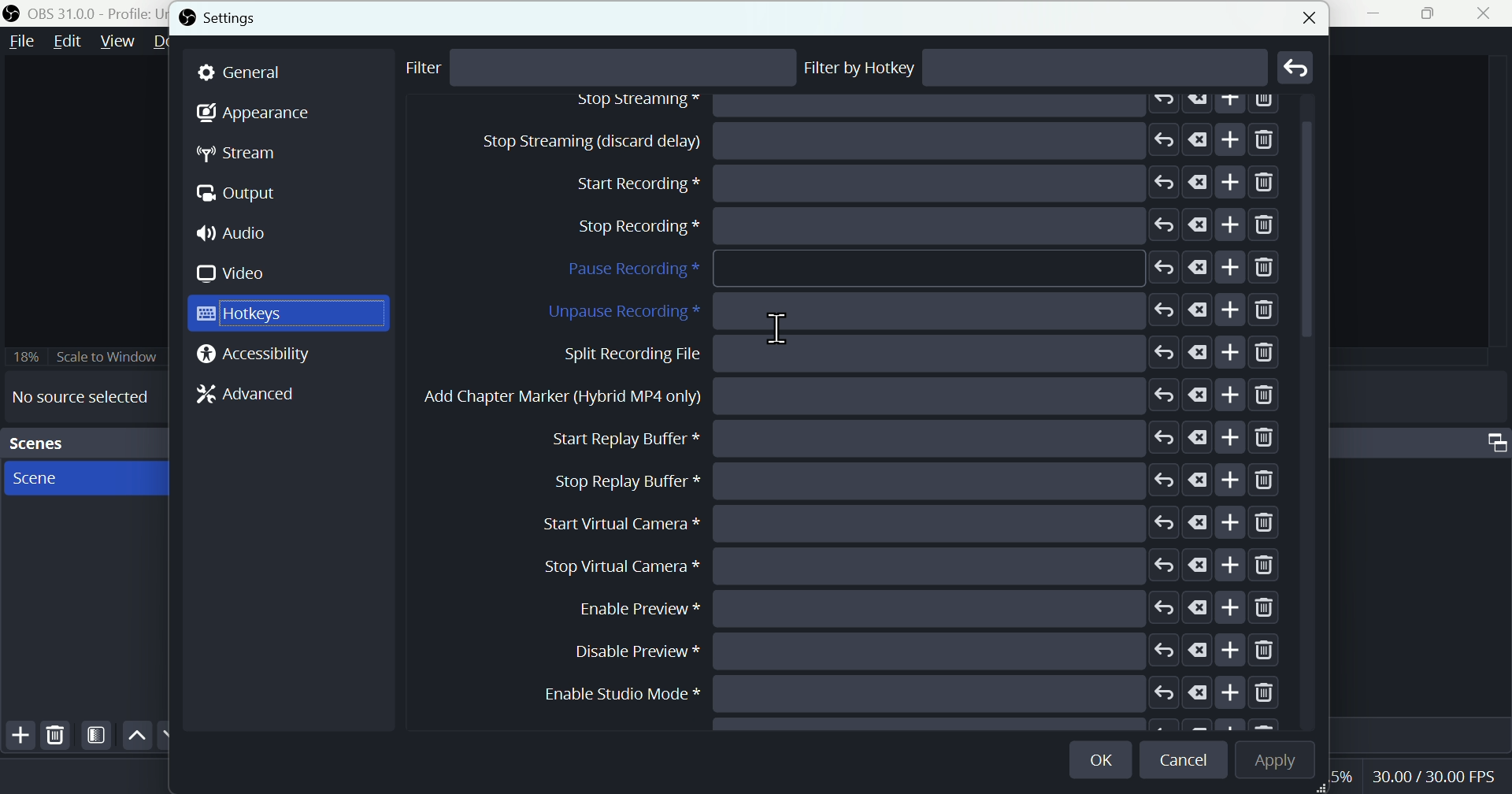 Image resolution: width=1512 pixels, height=794 pixels. I want to click on Audio, so click(239, 235).